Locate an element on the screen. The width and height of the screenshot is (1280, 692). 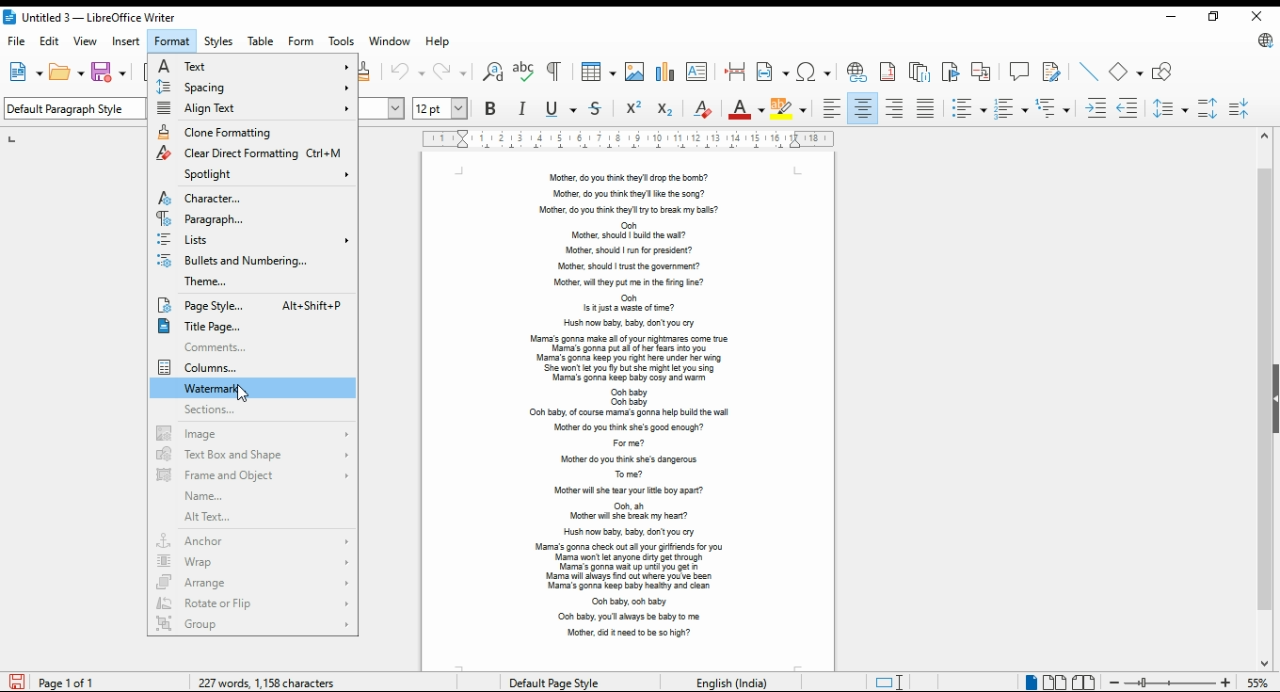
text is located at coordinates (251, 67).